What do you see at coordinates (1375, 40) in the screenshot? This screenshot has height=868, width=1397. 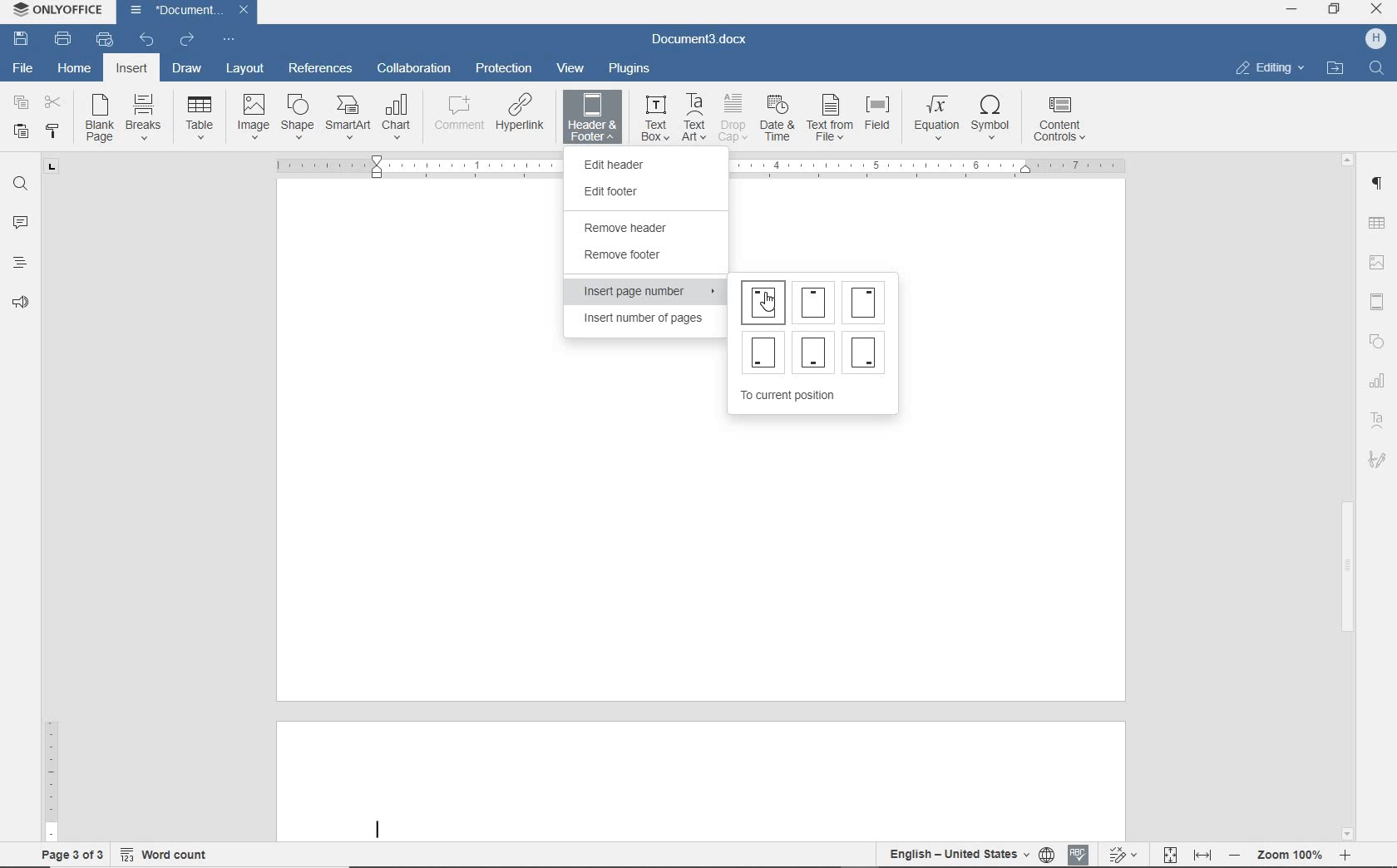 I see `H` at bounding box center [1375, 40].